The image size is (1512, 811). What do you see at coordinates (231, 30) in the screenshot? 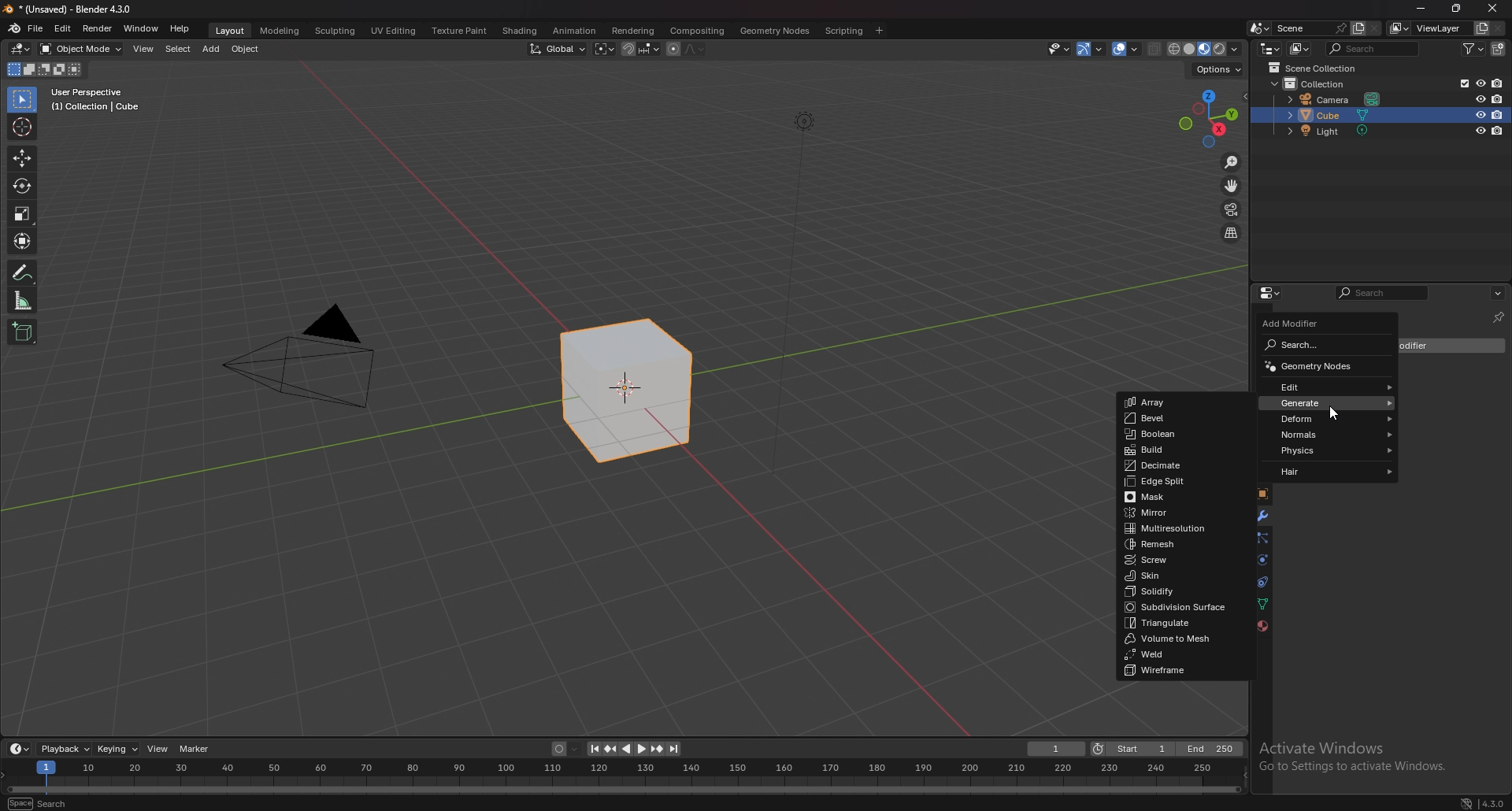
I see `layout` at bounding box center [231, 30].